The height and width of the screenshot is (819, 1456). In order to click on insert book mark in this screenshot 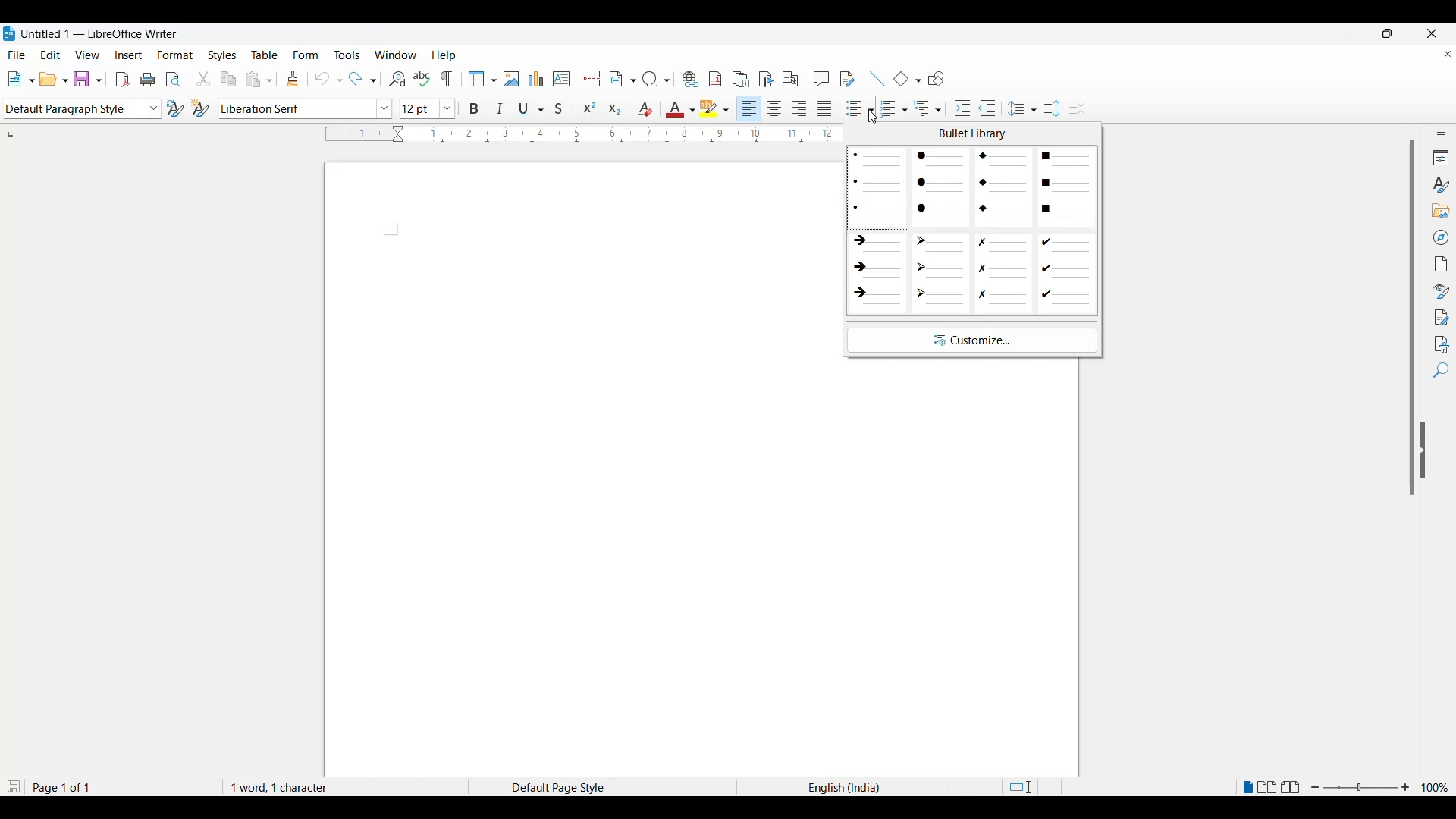, I will do `click(767, 78)`.